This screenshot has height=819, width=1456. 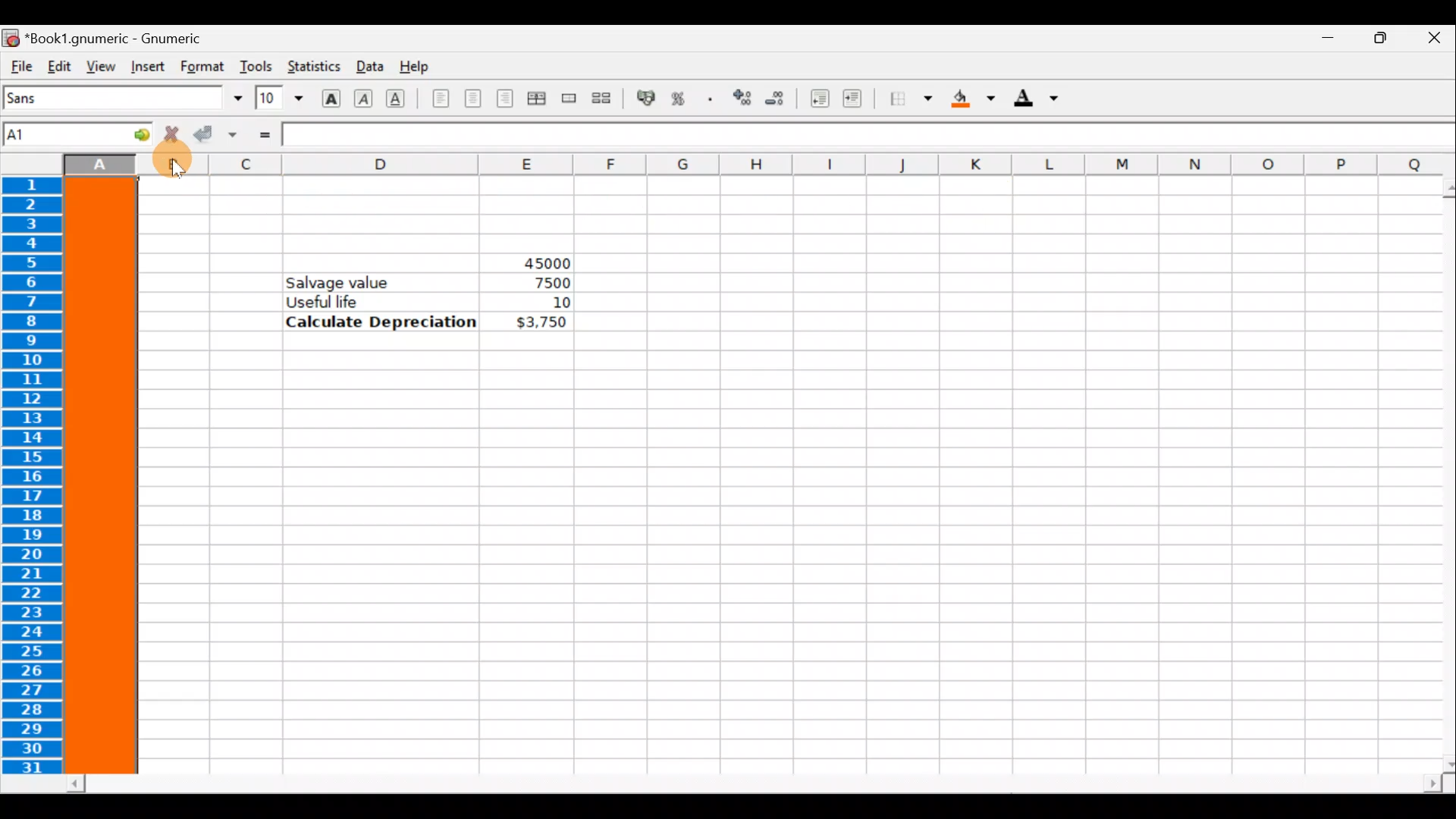 What do you see at coordinates (402, 99) in the screenshot?
I see `Underline` at bounding box center [402, 99].